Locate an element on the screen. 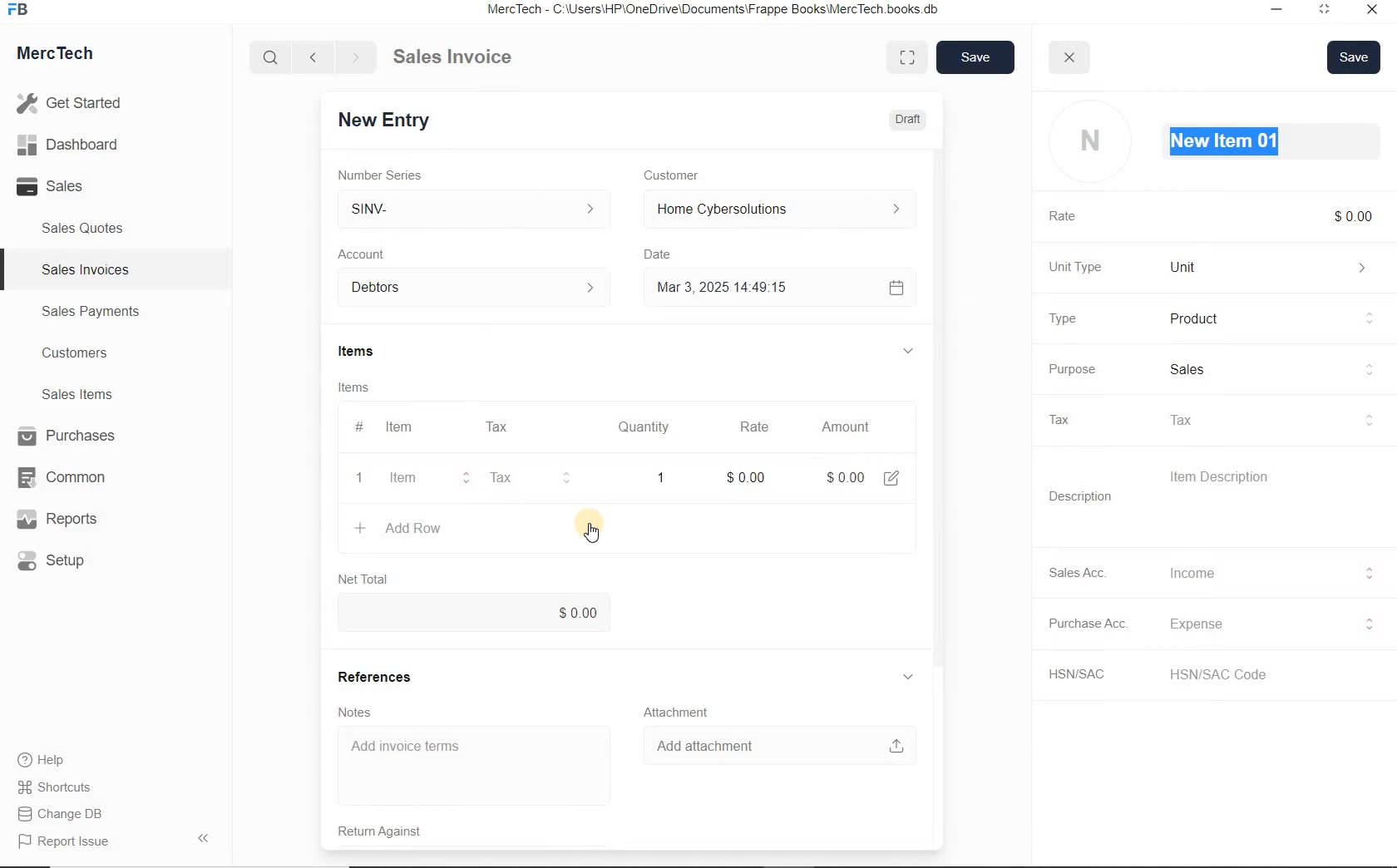 This screenshot has height=868, width=1397. profile logo is located at coordinates (1089, 142).